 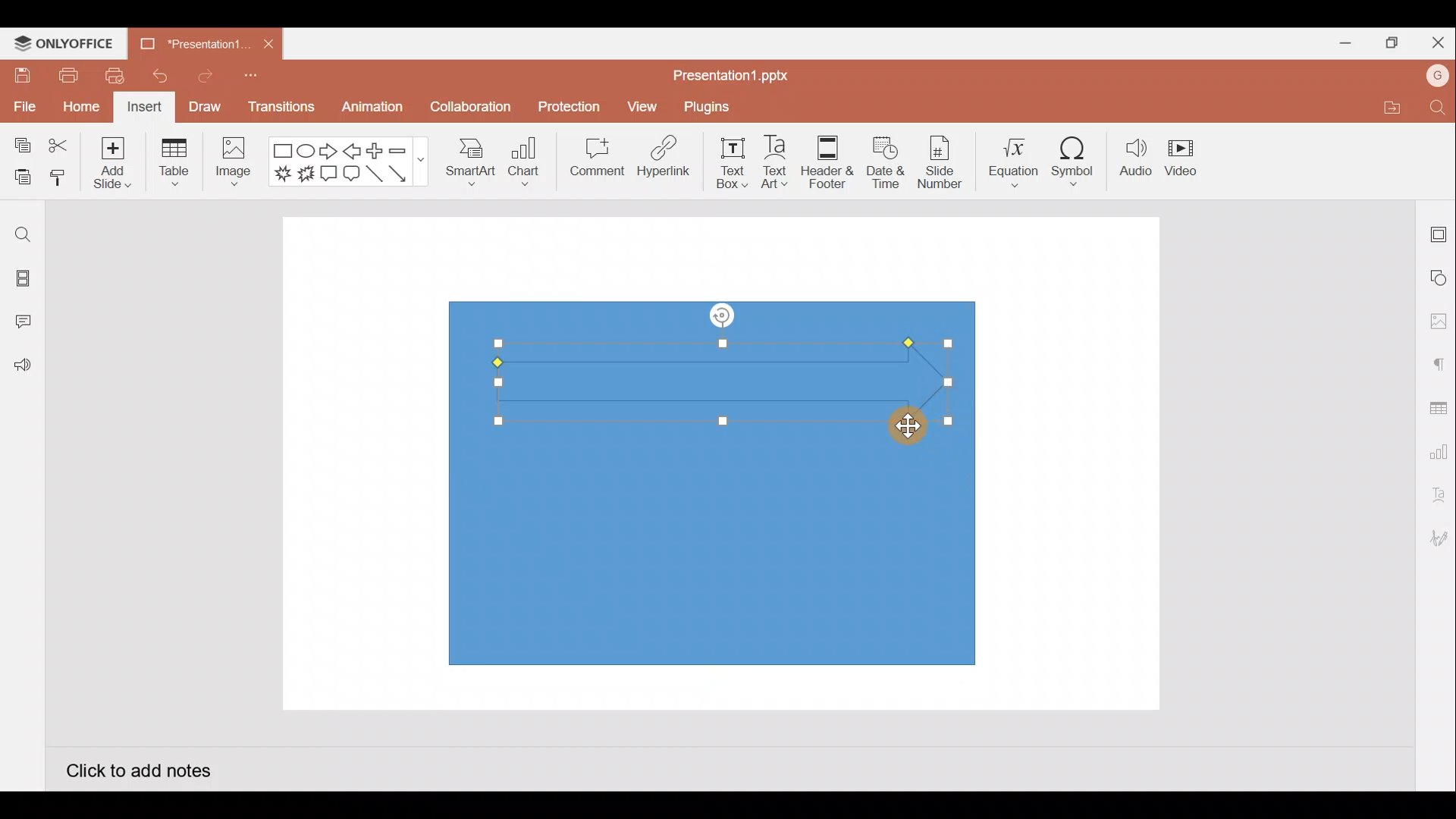 What do you see at coordinates (781, 158) in the screenshot?
I see `Text Art` at bounding box center [781, 158].